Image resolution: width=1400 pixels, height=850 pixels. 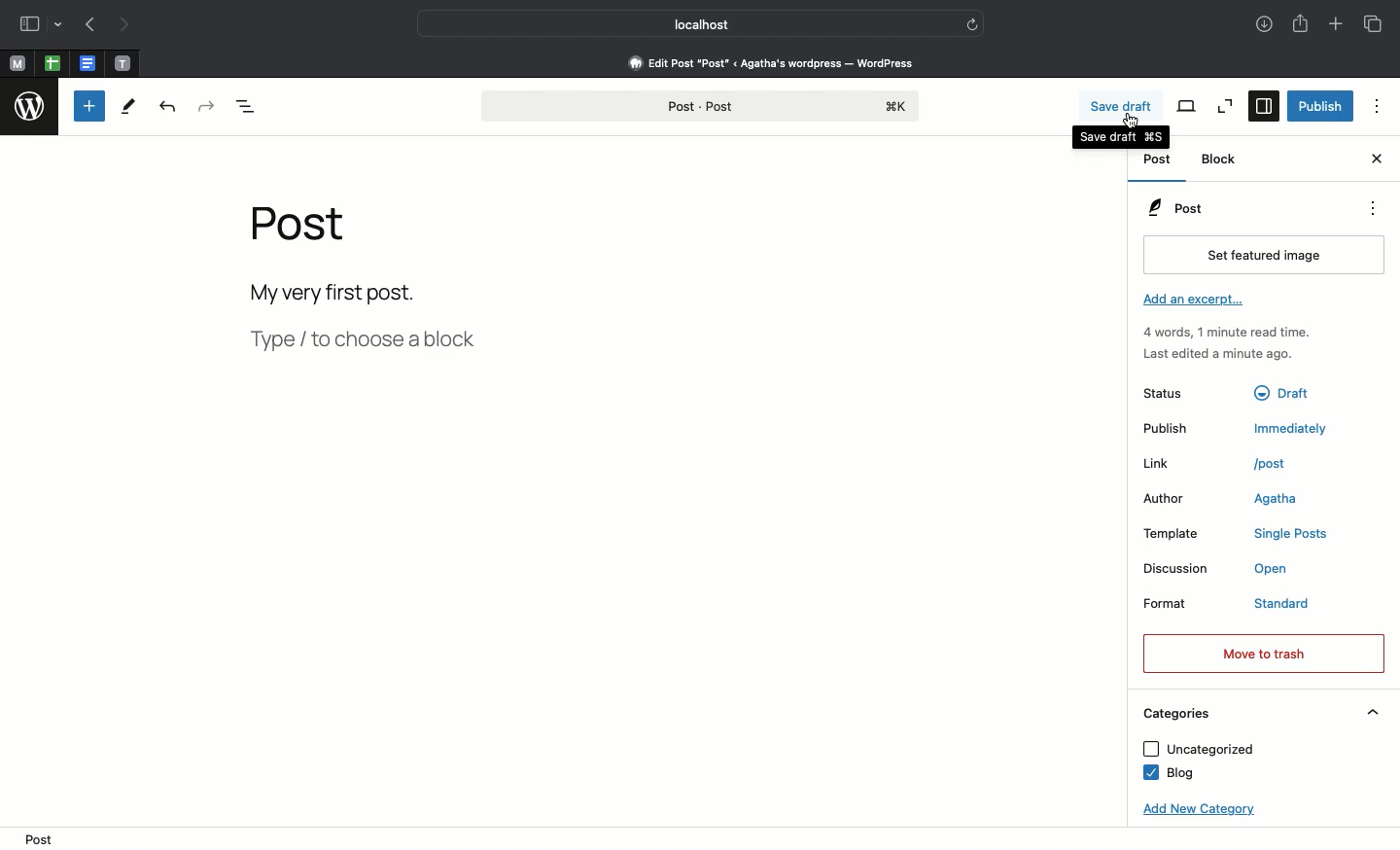 I want to click on Wordpress, so click(x=30, y=109).